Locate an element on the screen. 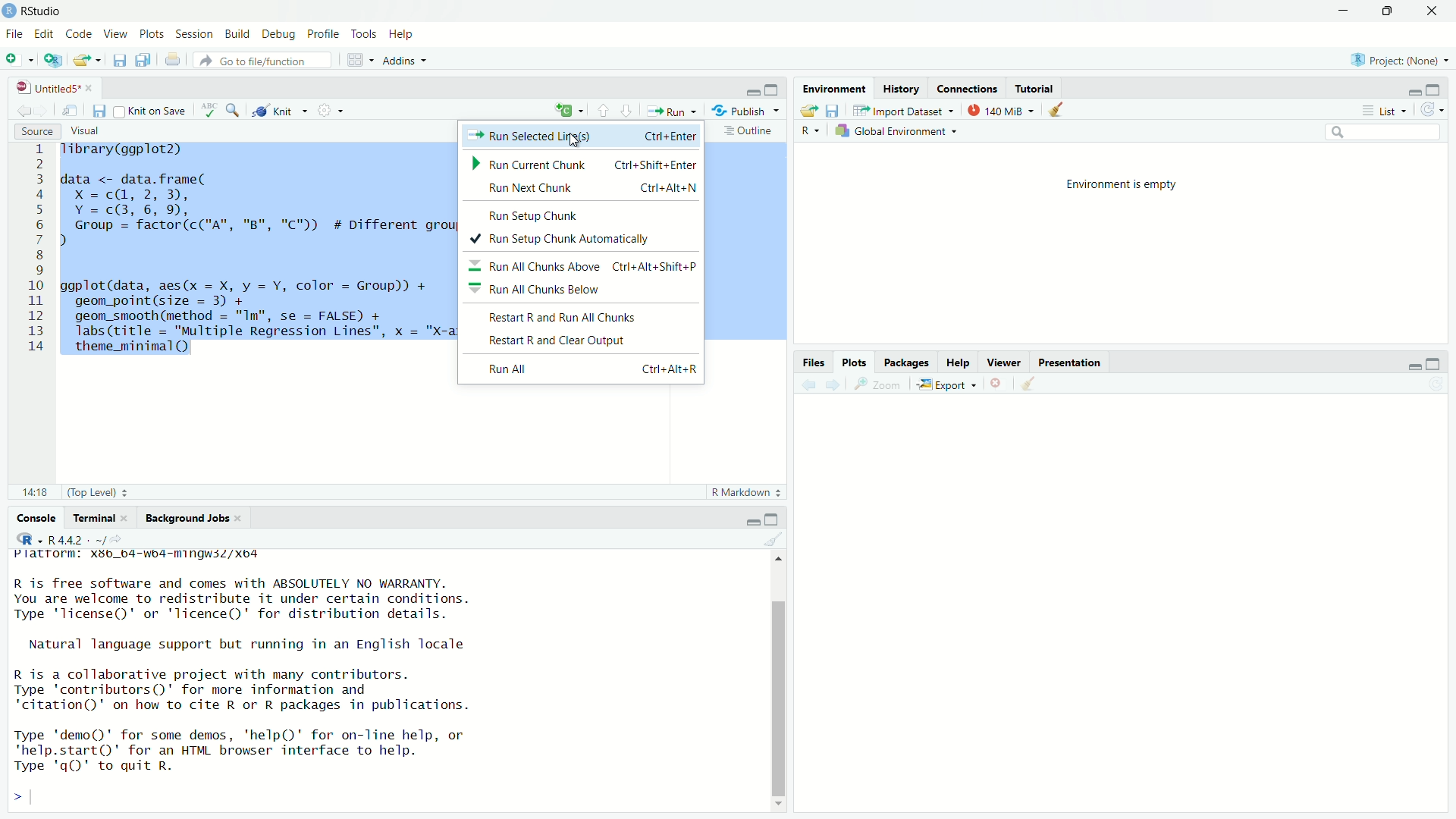 Image resolution: width=1456 pixels, height=819 pixels. Connections is located at coordinates (968, 90).